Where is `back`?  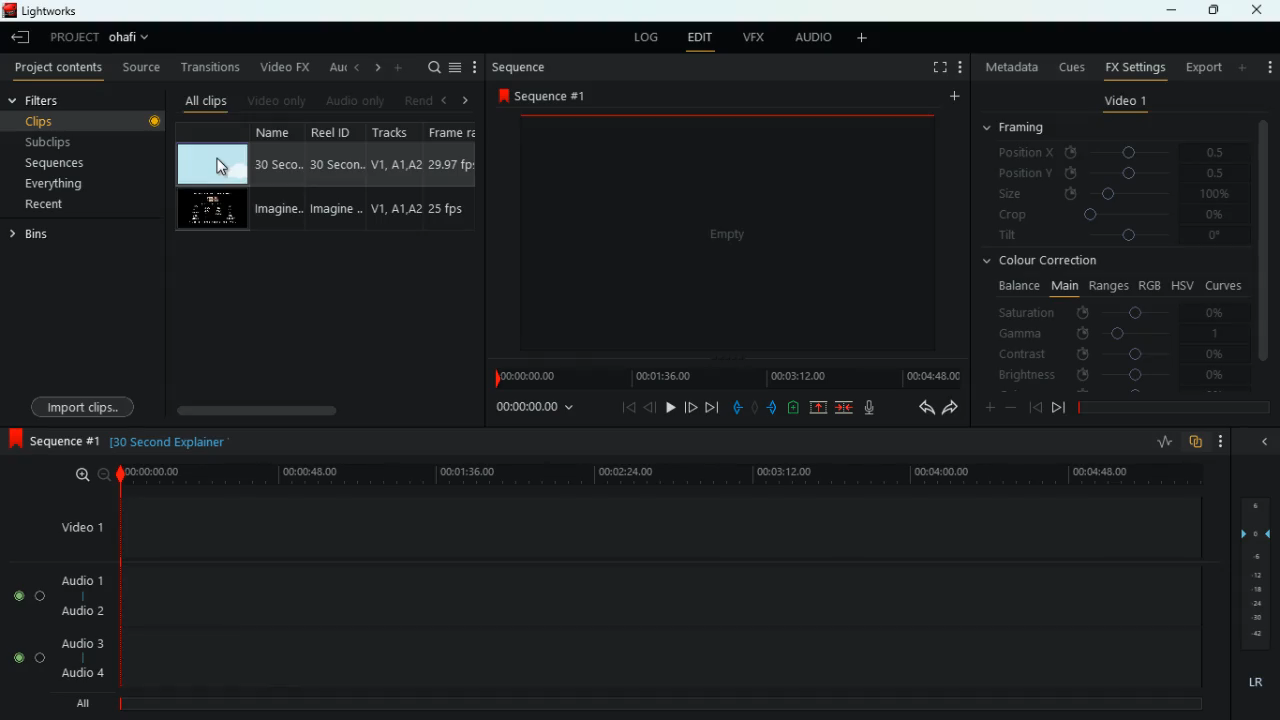 back is located at coordinates (653, 407).